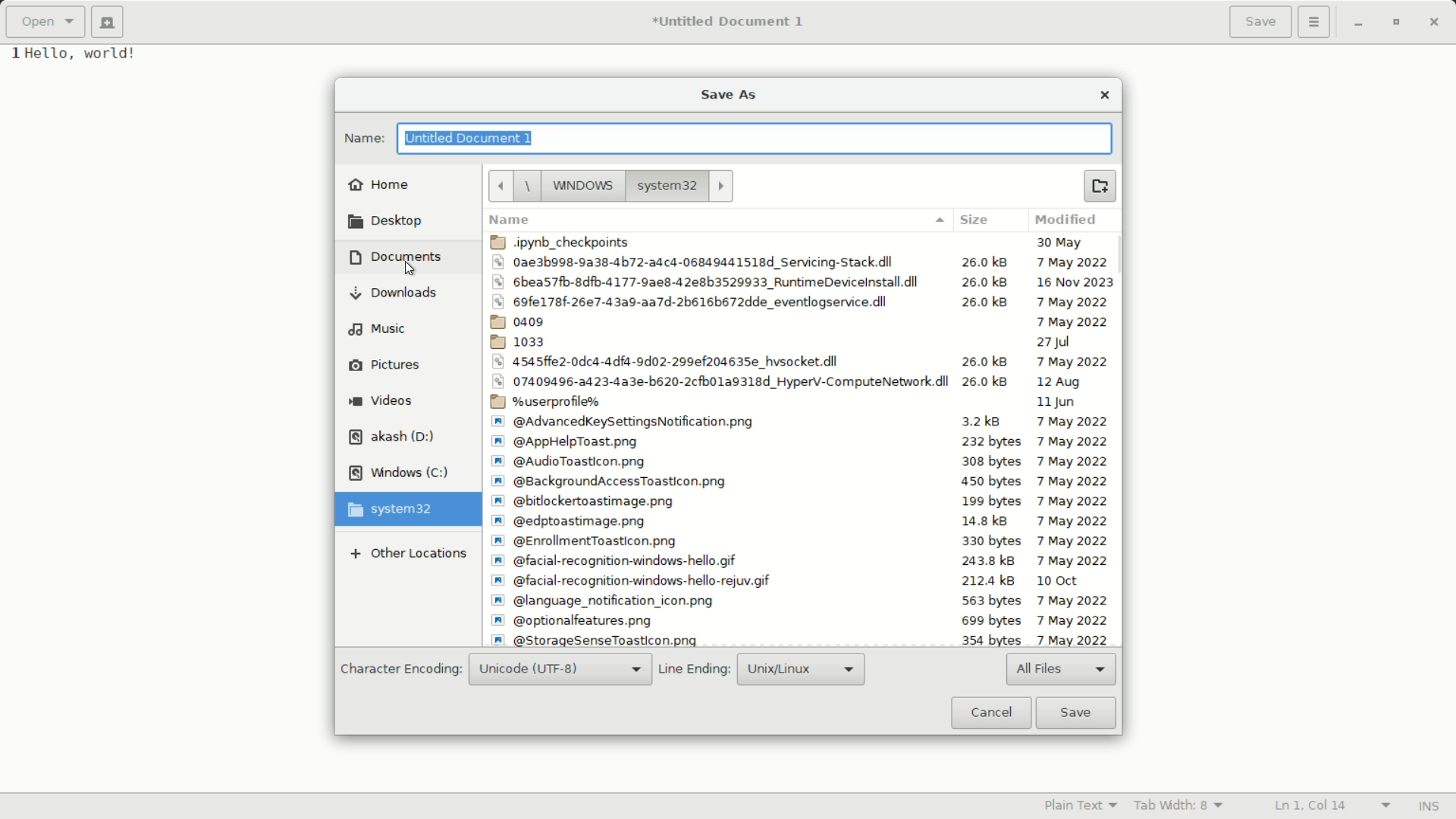  I want to click on line and columns, so click(1332, 804).